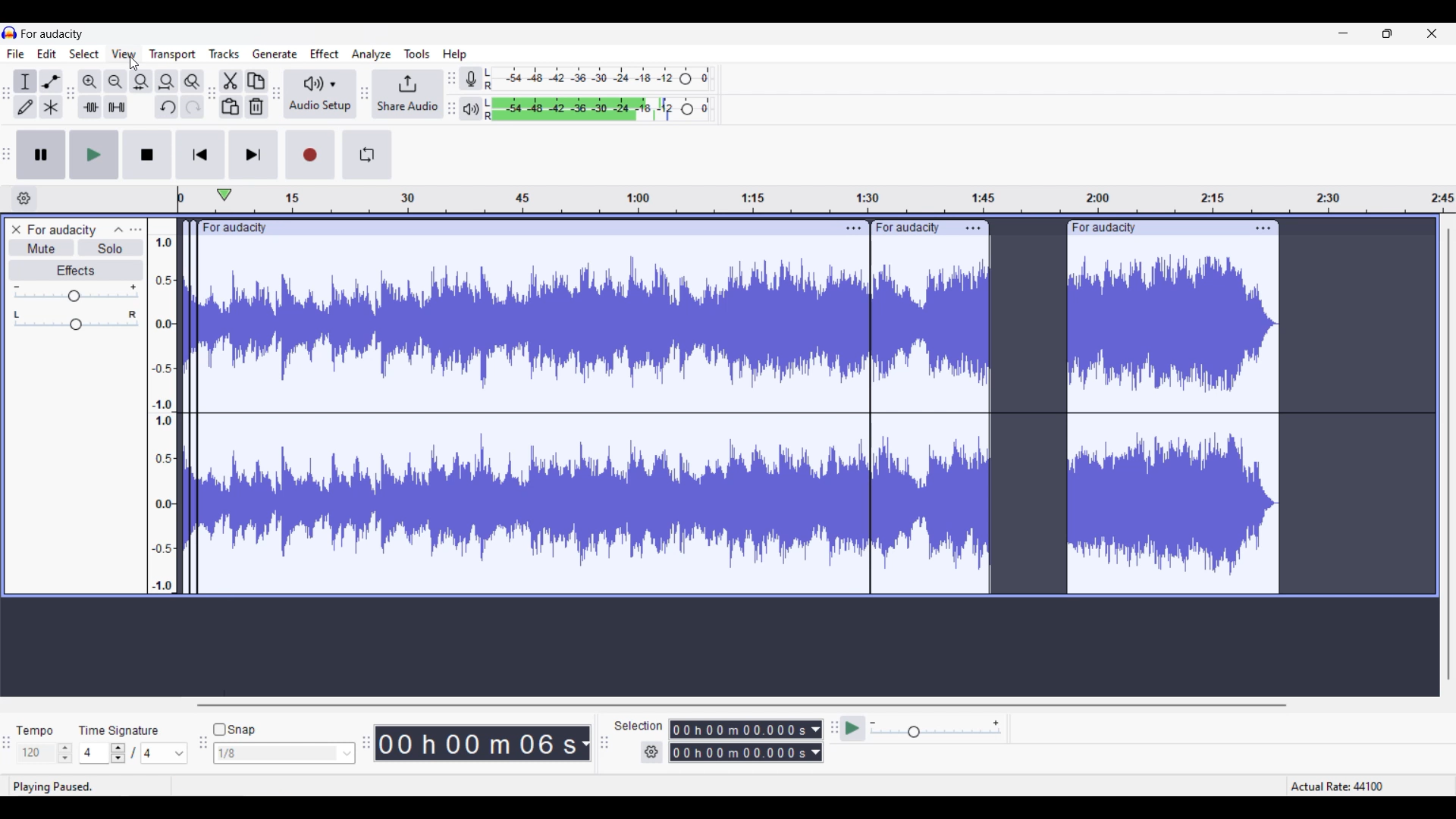 The height and width of the screenshot is (819, 1456). Describe the element at coordinates (284, 754) in the screenshot. I see `Snap list` at that location.